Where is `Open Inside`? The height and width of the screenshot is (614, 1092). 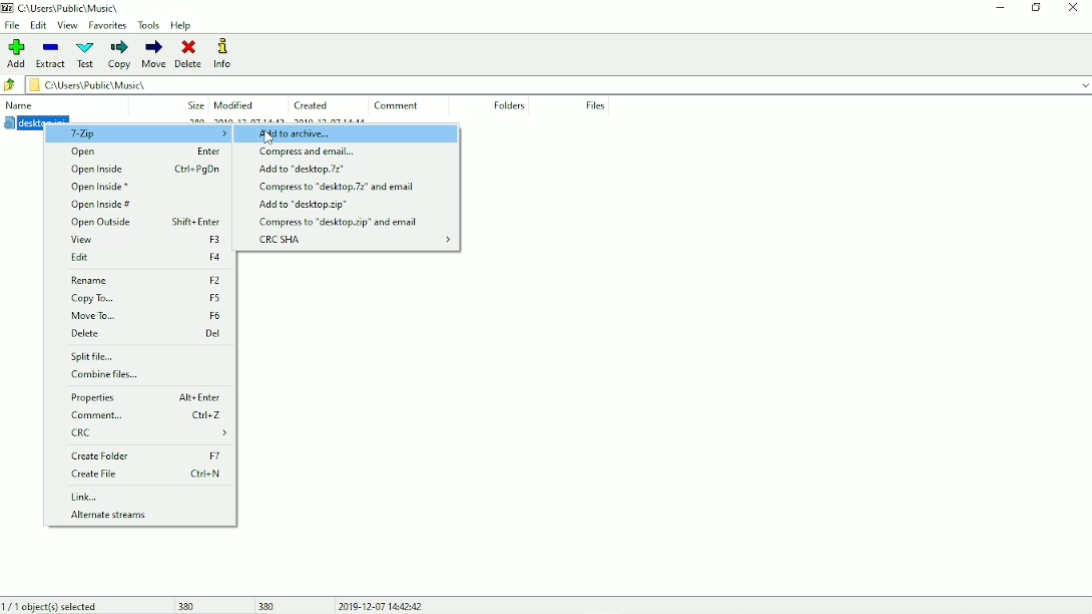
Open Inside is located at coordinates (145, 169).